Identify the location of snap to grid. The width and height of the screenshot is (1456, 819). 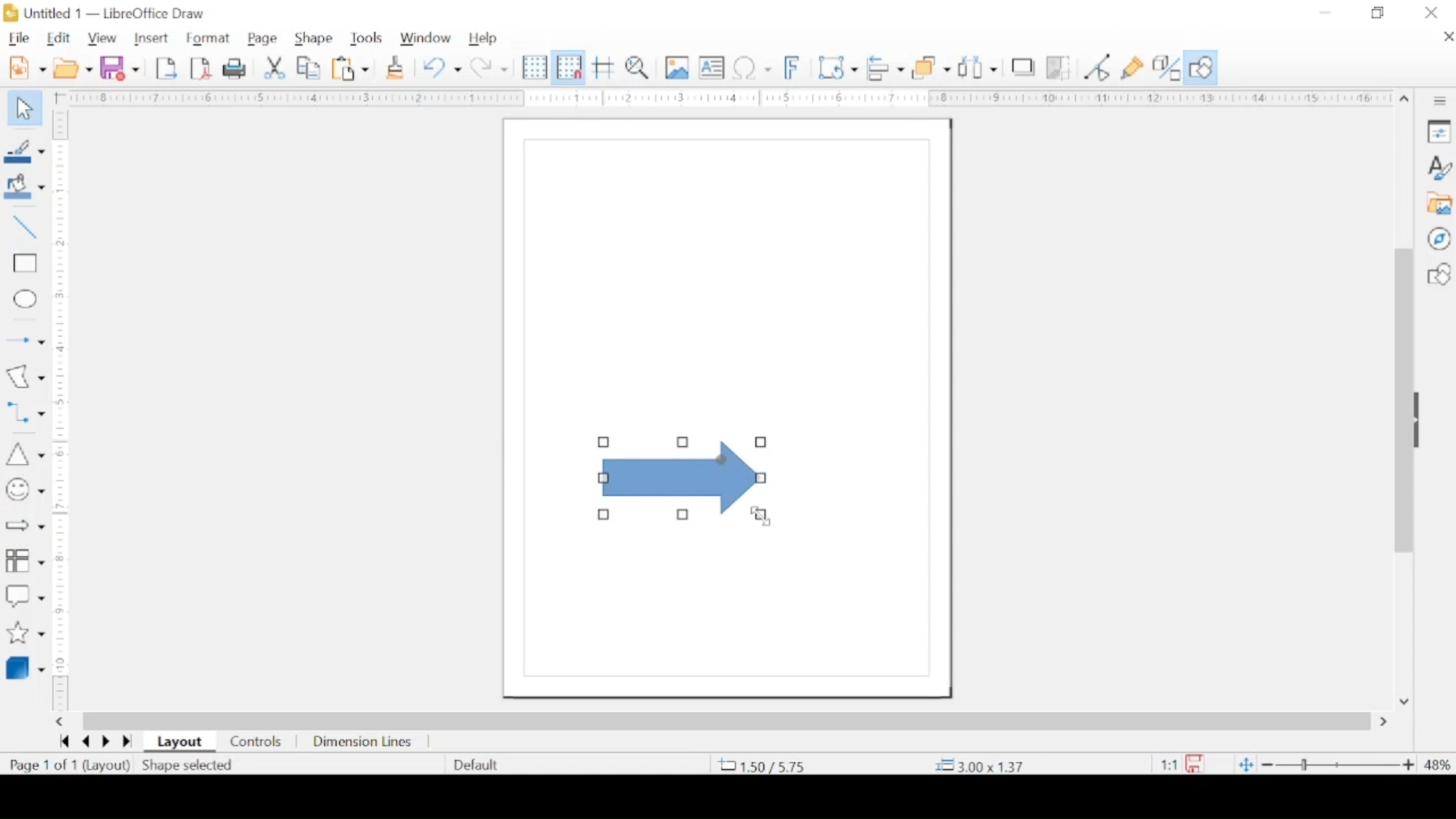
(569, 67).